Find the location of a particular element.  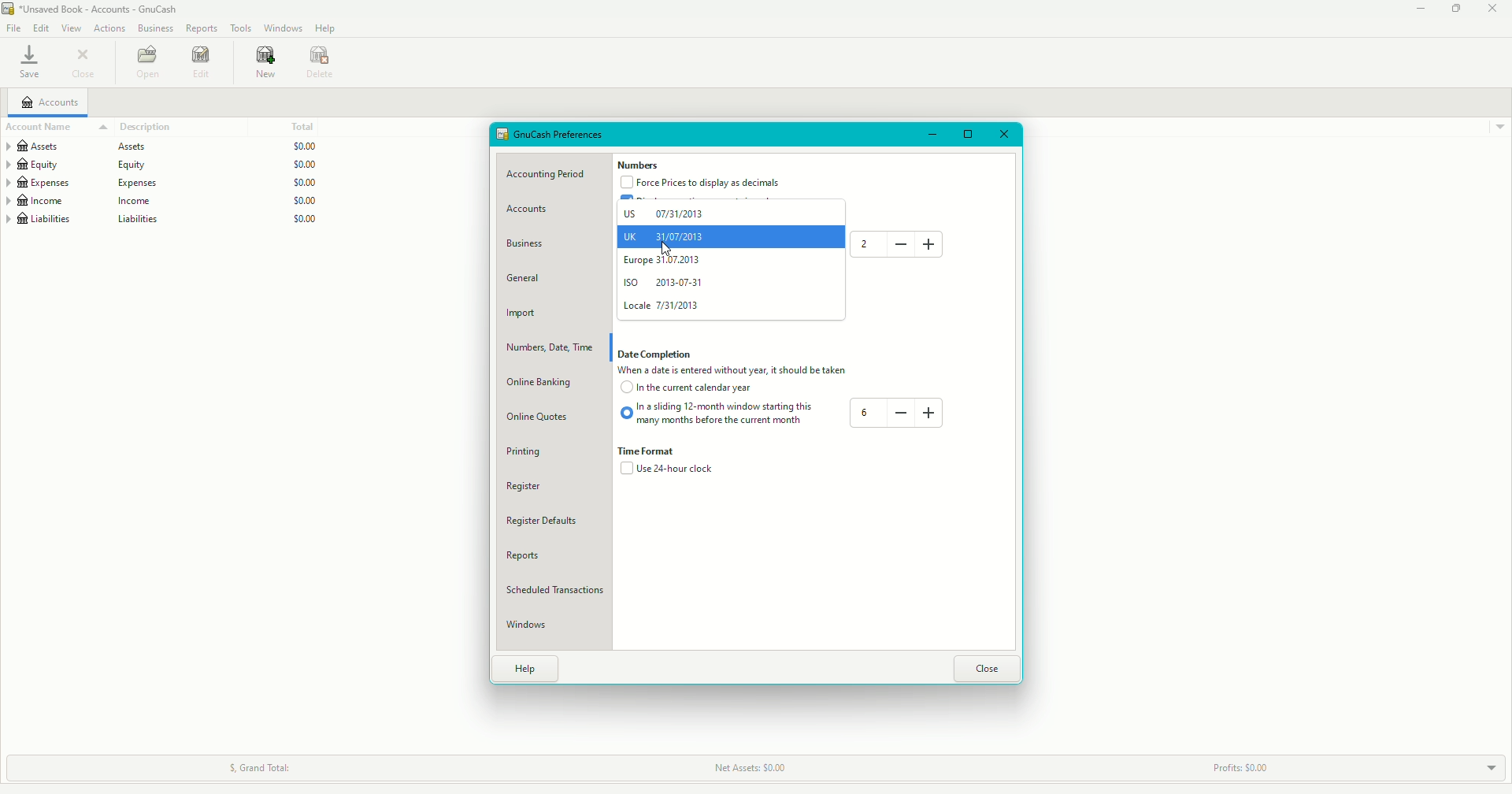

Help is located at coordinates (327, 28).